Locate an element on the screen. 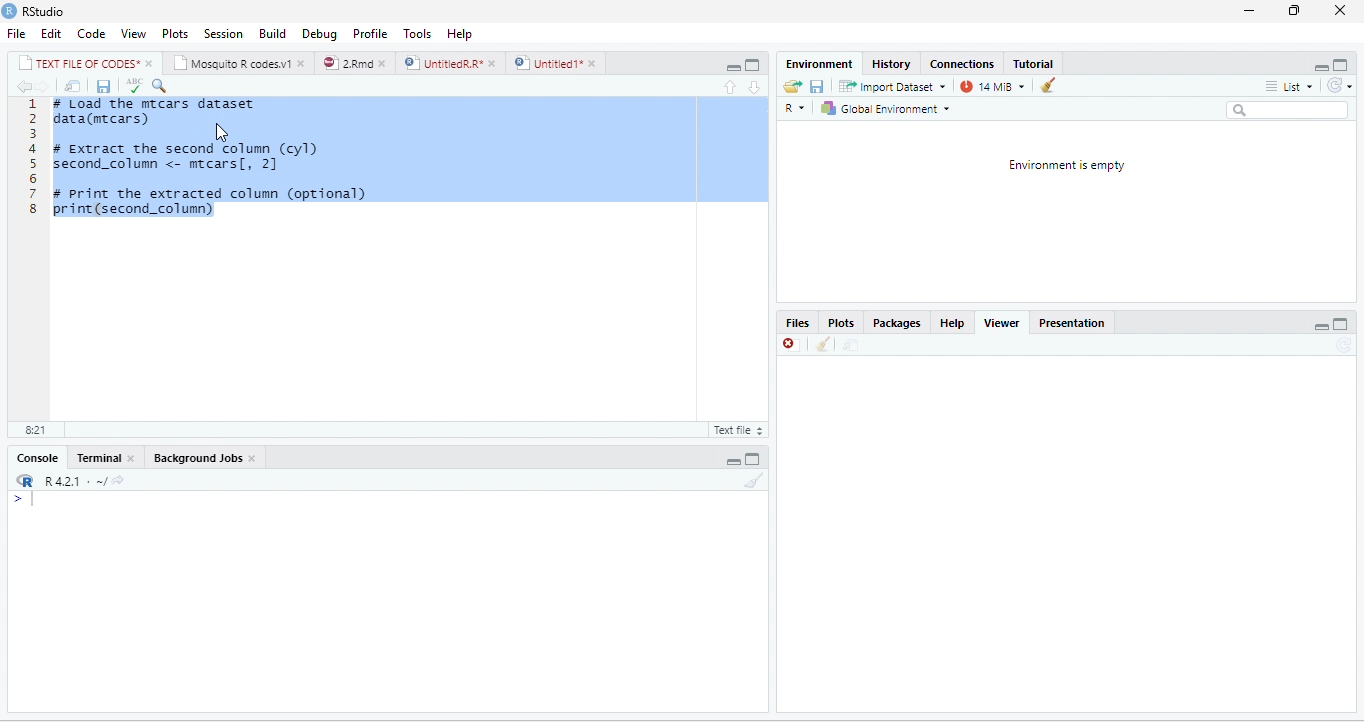  1 is located at coordinates (33, 104).